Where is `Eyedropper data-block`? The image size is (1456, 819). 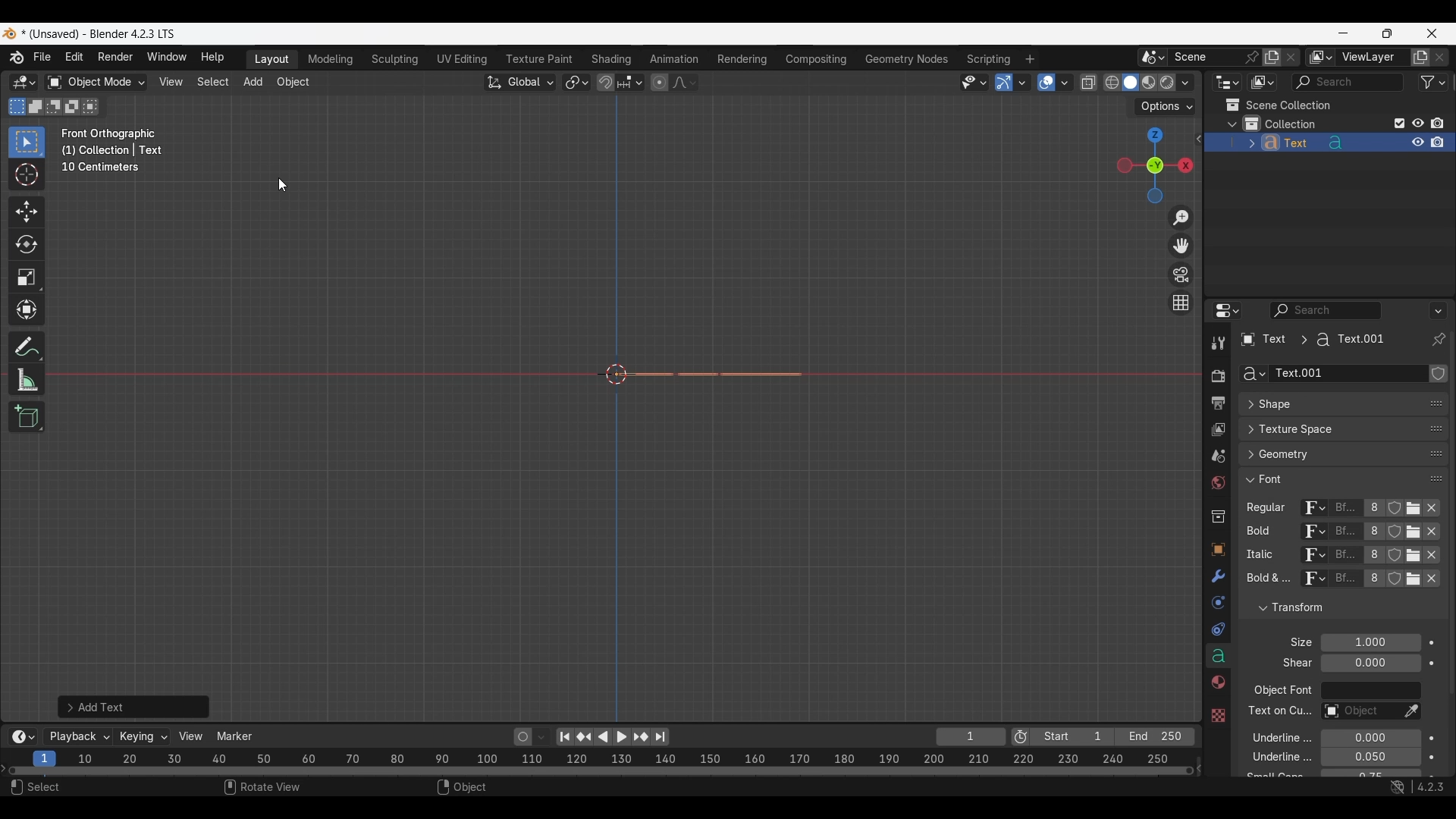 Eyedropper data-block is located at coordinates (1410, 712).